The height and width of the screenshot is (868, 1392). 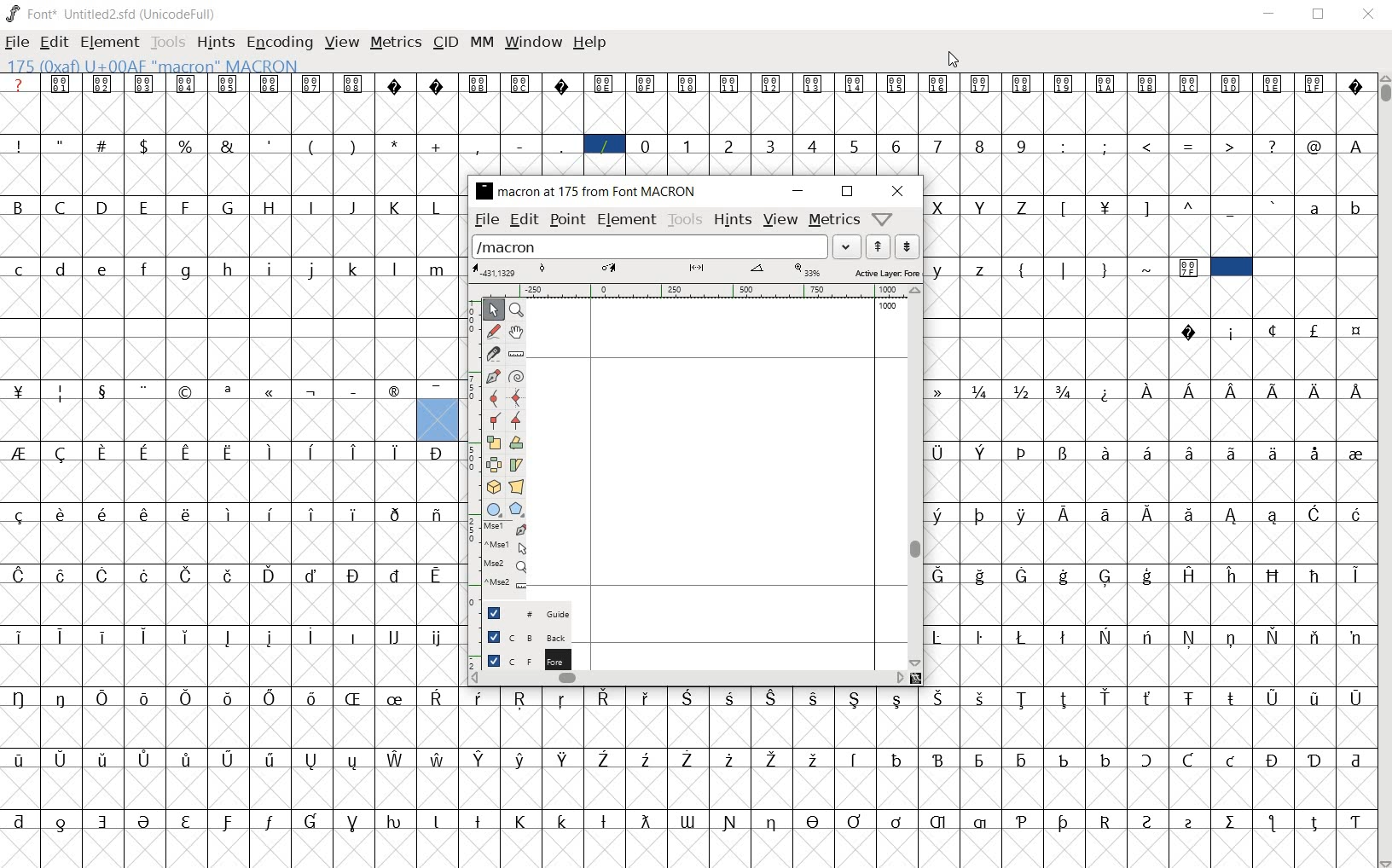 I want to click on Symbol, so click(x=1022, y=759).